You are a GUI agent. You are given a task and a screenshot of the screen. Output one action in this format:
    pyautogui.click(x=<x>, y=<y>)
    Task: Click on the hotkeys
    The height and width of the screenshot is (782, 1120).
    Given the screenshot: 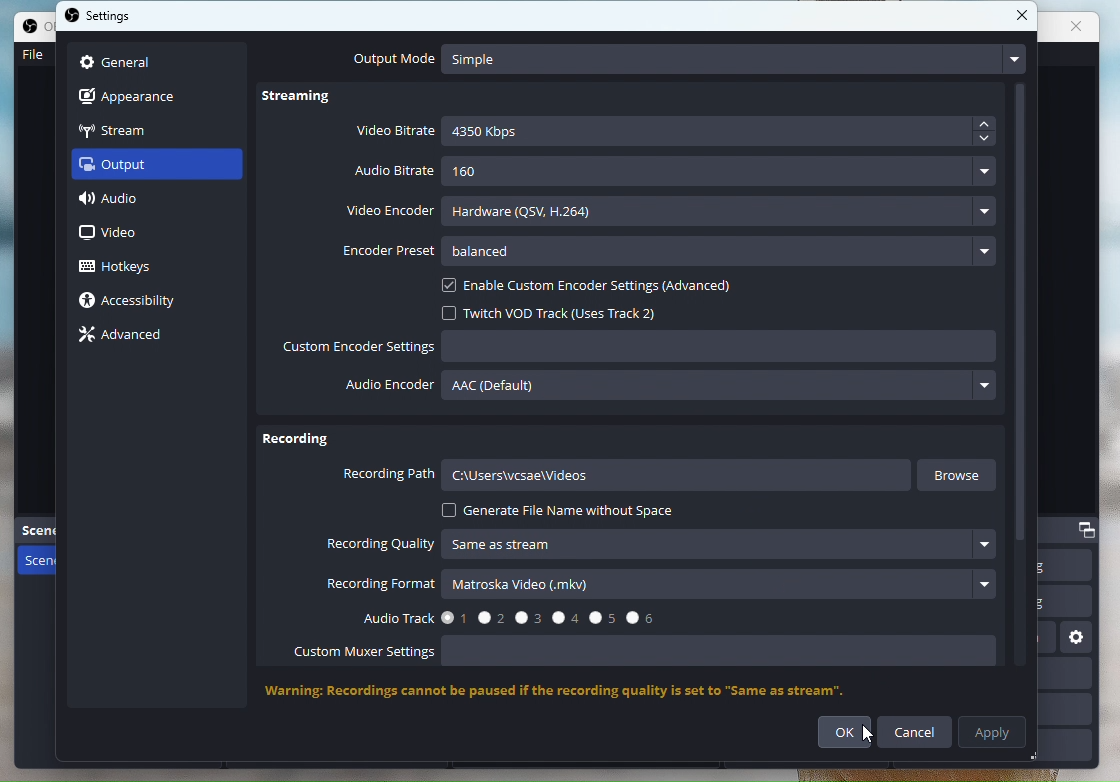 What is the action you would take?
    pyautogui.click(x=131, y=264)
    